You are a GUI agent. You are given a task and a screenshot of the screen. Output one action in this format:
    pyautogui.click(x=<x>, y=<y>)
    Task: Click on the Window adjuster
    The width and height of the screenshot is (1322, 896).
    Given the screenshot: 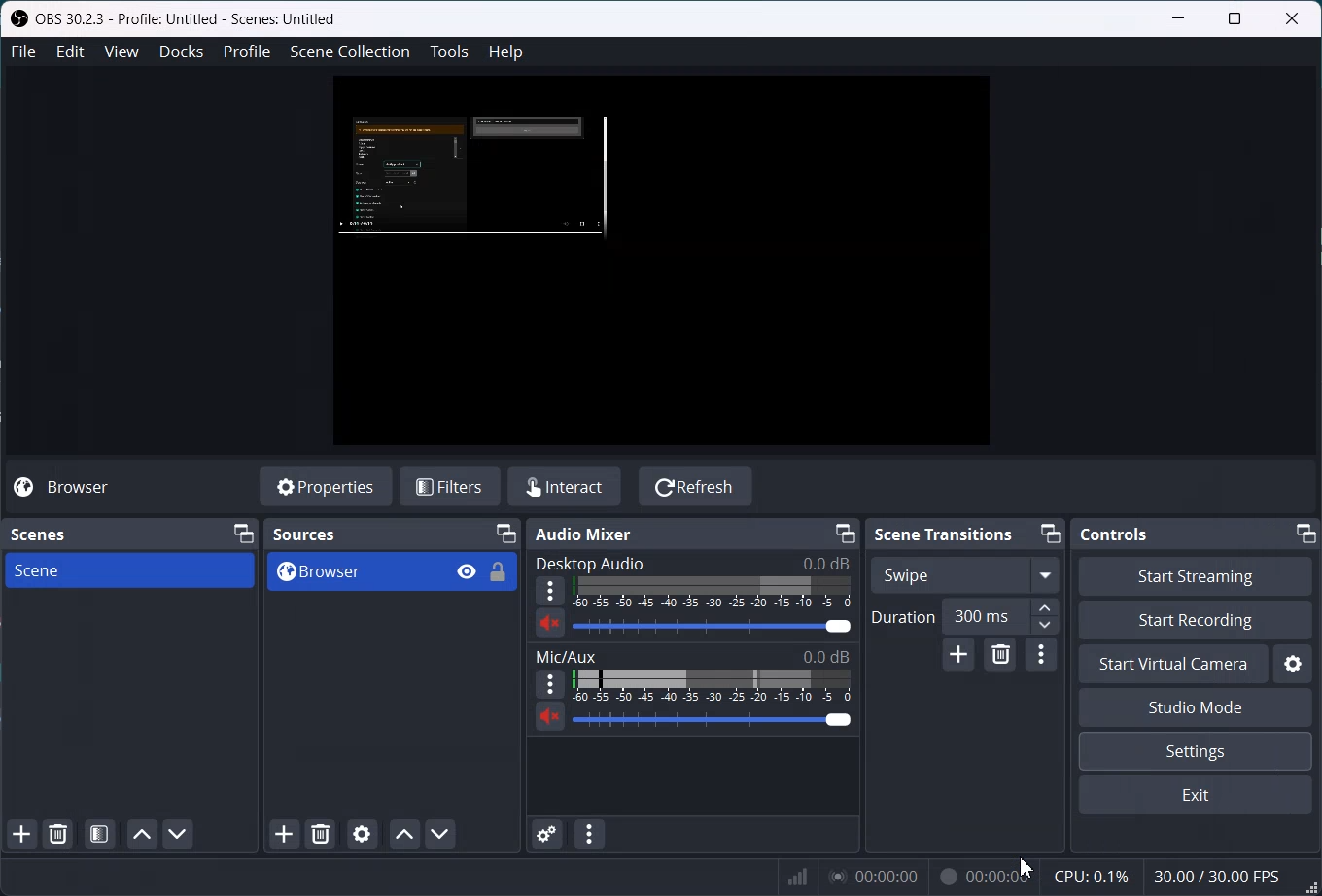 What is the action you would take?
    pyautogui.click(x=1311, y=887)
    